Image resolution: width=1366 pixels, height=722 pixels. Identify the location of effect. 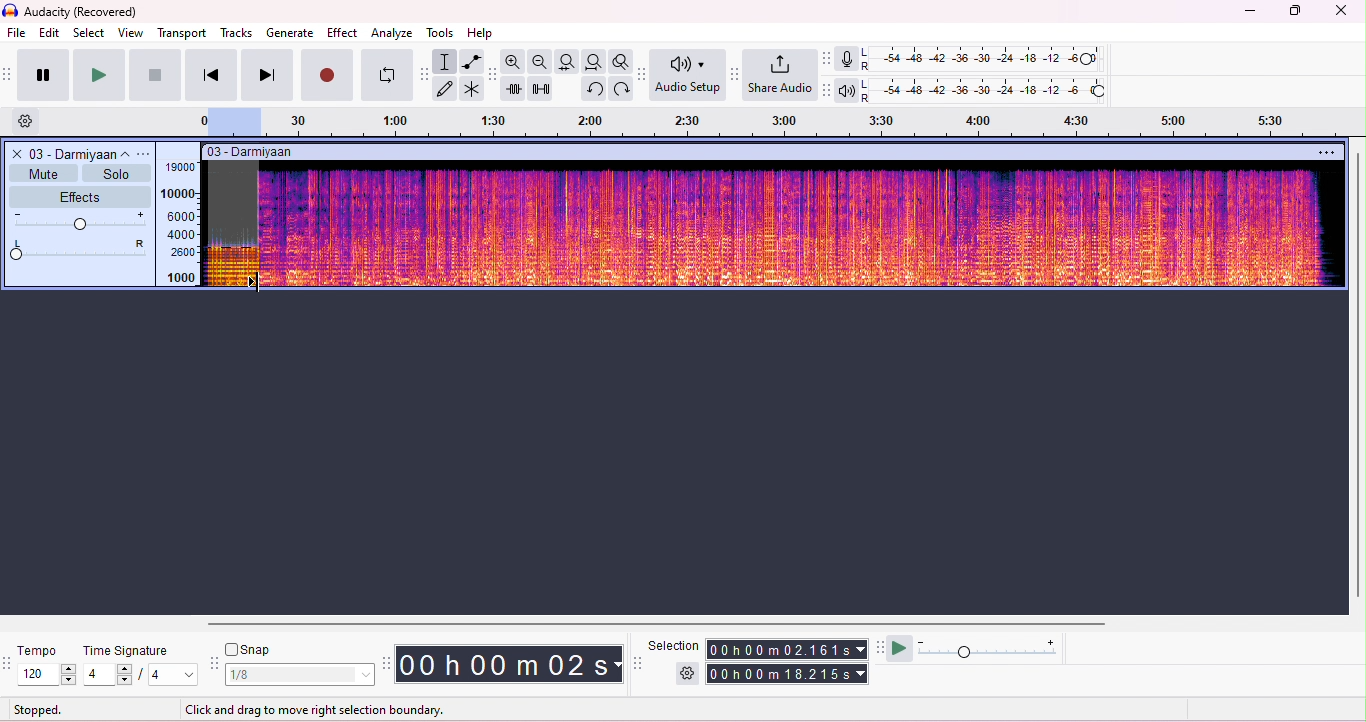
(343, 32).